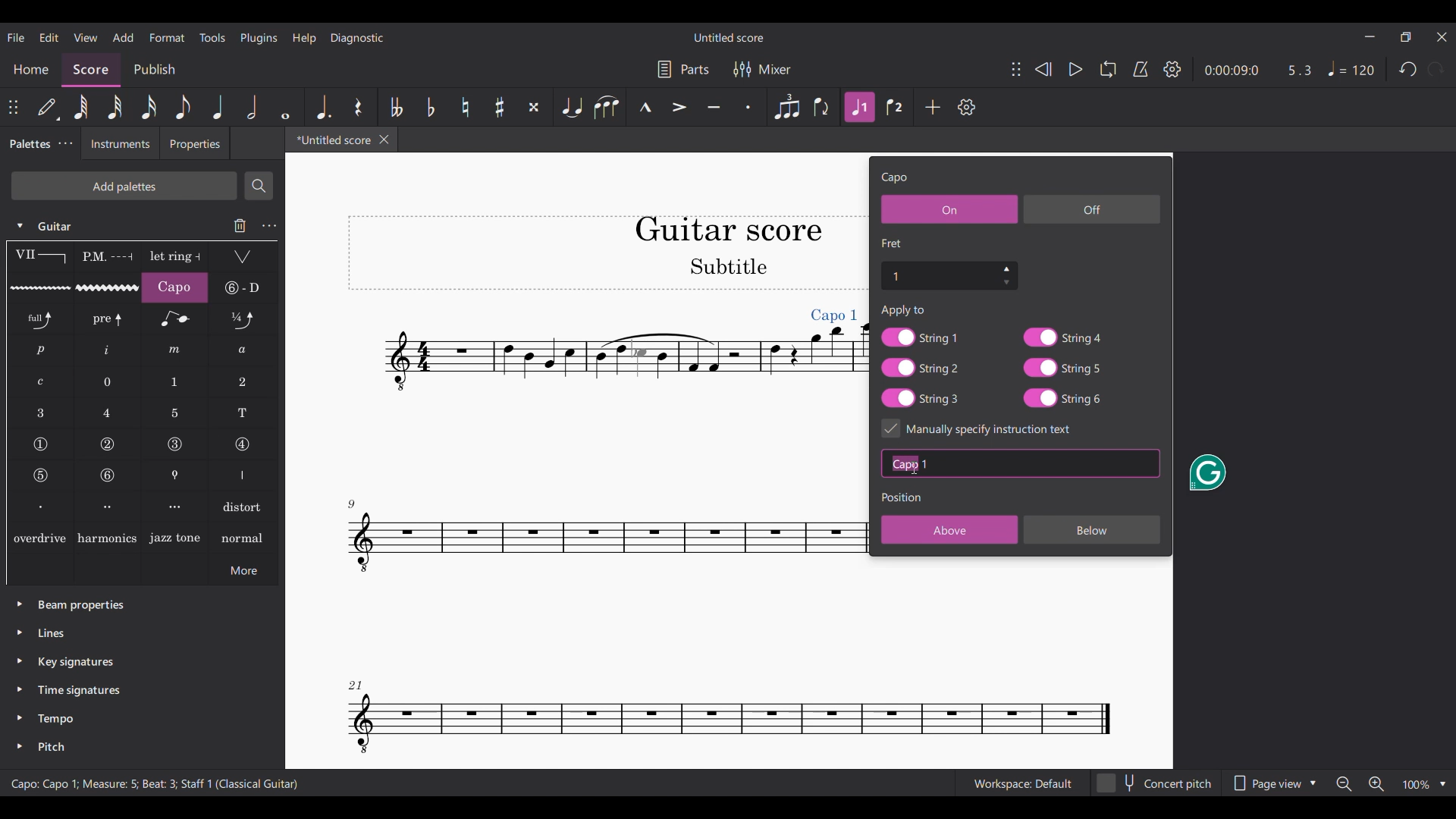 The width and height of the screenshot is (1456, 819). I want to click on Cursor, so click(915, 468).